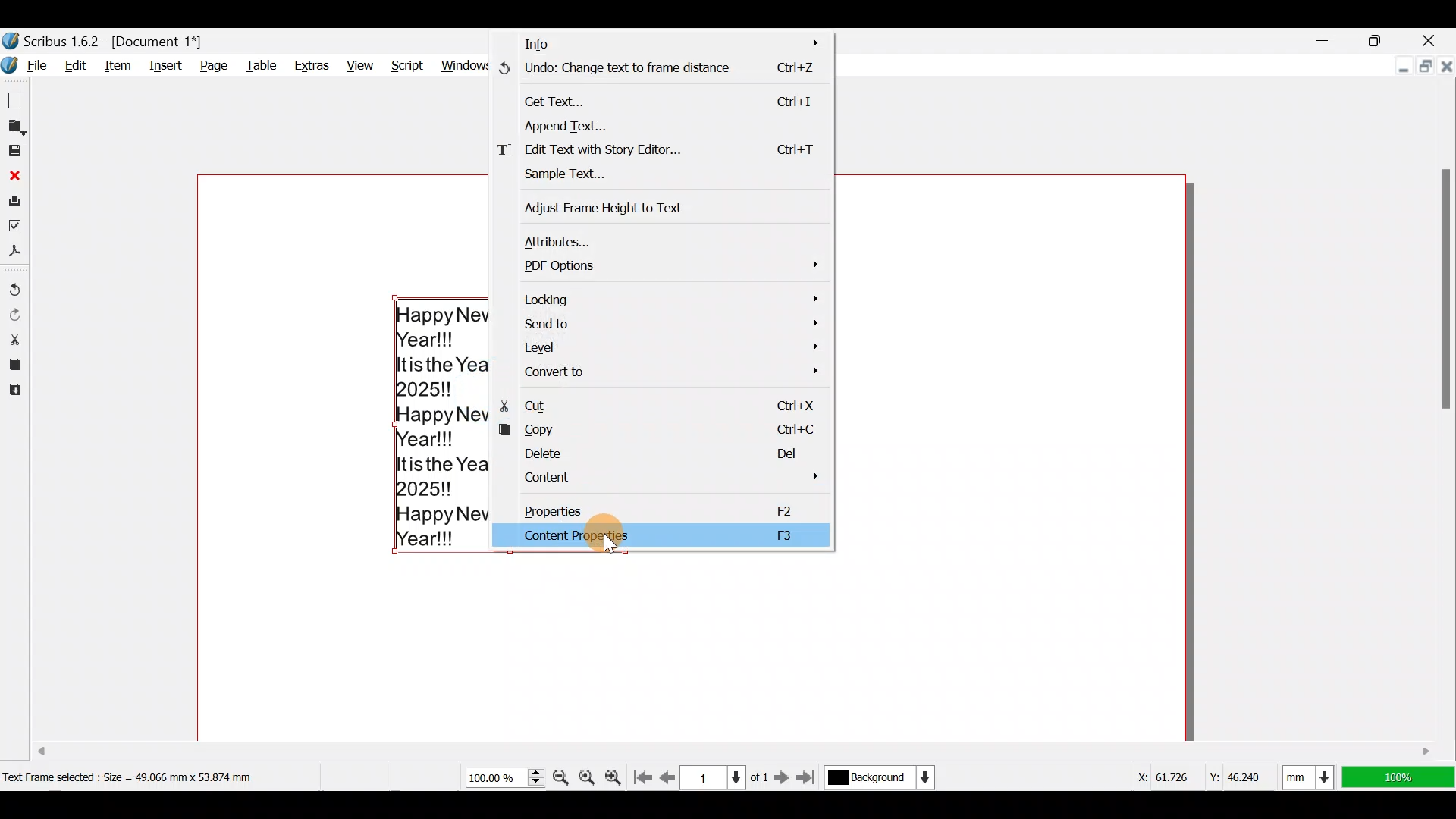  I want to click on Cursor on content properties, so click(606, 547).